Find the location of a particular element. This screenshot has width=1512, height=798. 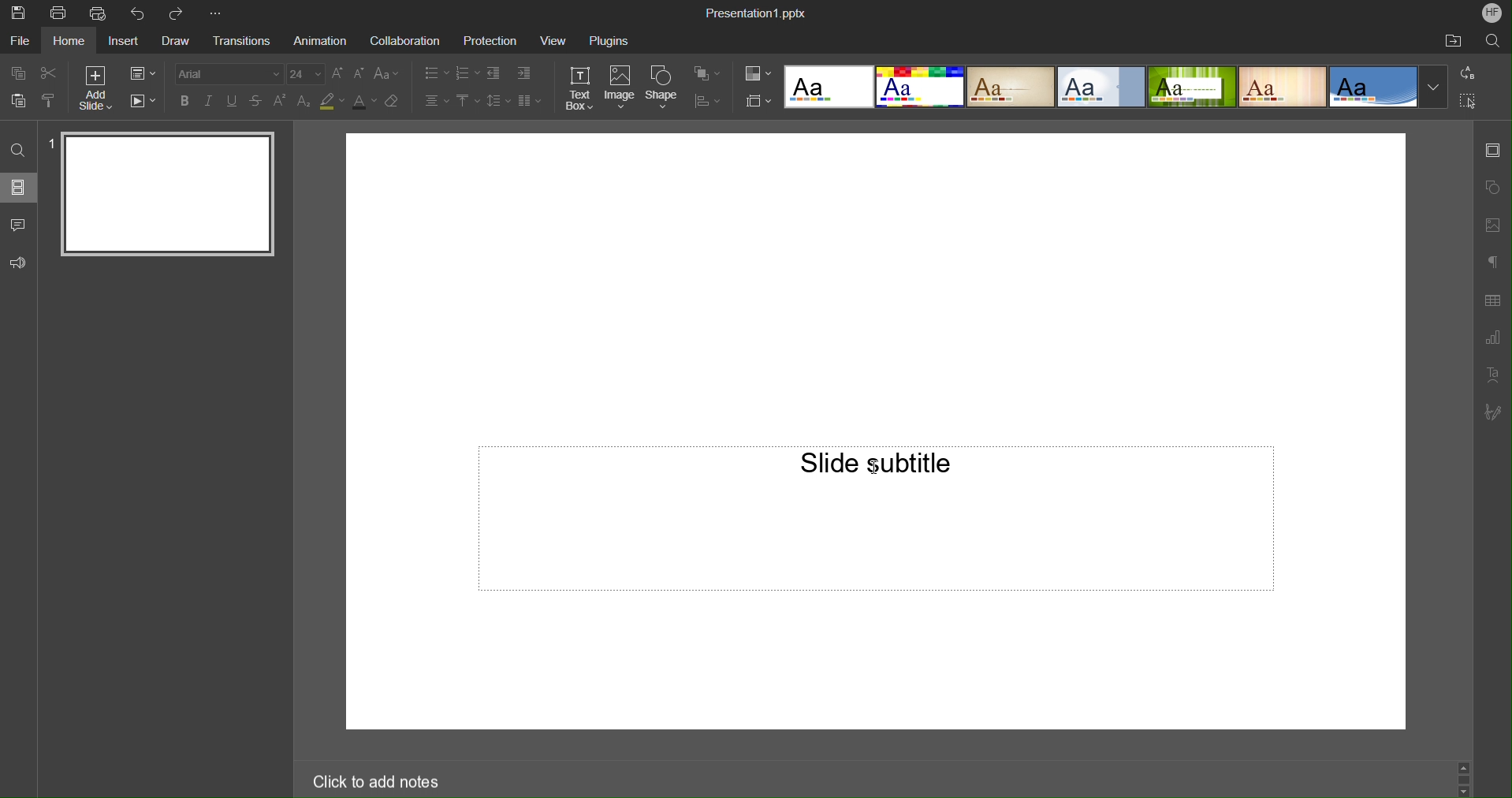

Text Art is located at coordinates (1493, 374).